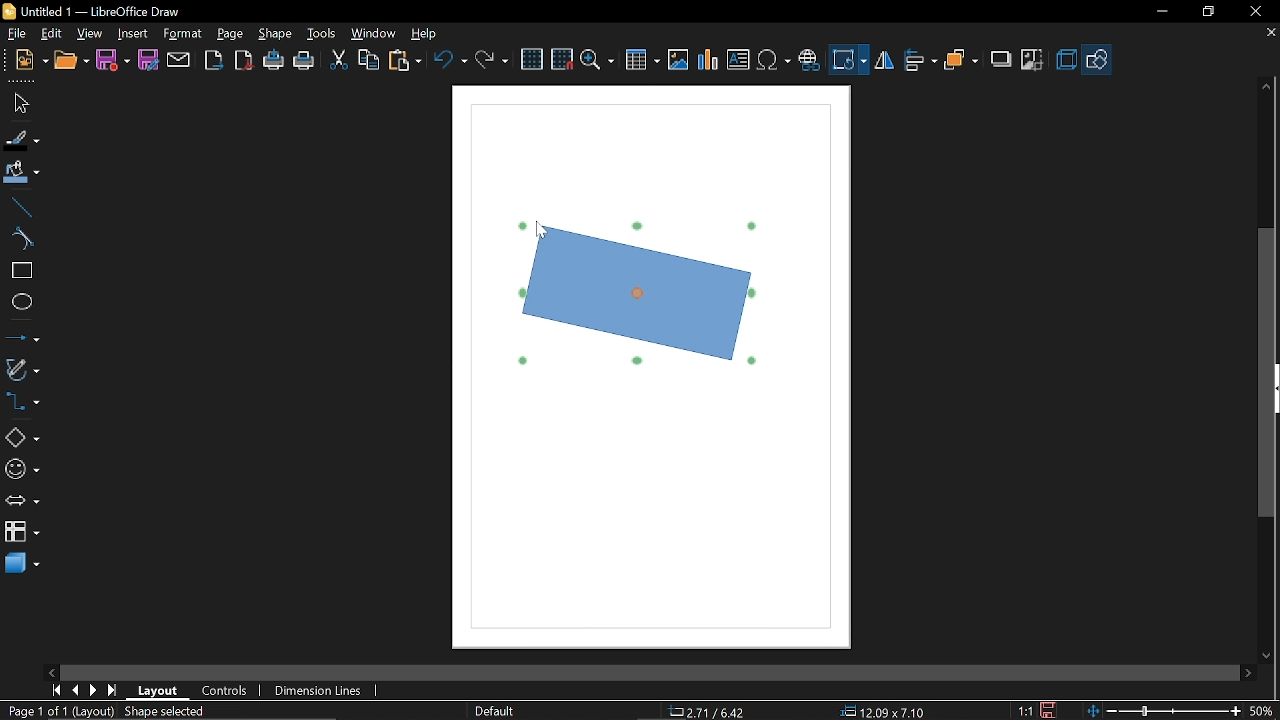  What do you see at coordinates (998, 60) in the screenshot?
I see `Shadow` at bounding box center [998, 60].